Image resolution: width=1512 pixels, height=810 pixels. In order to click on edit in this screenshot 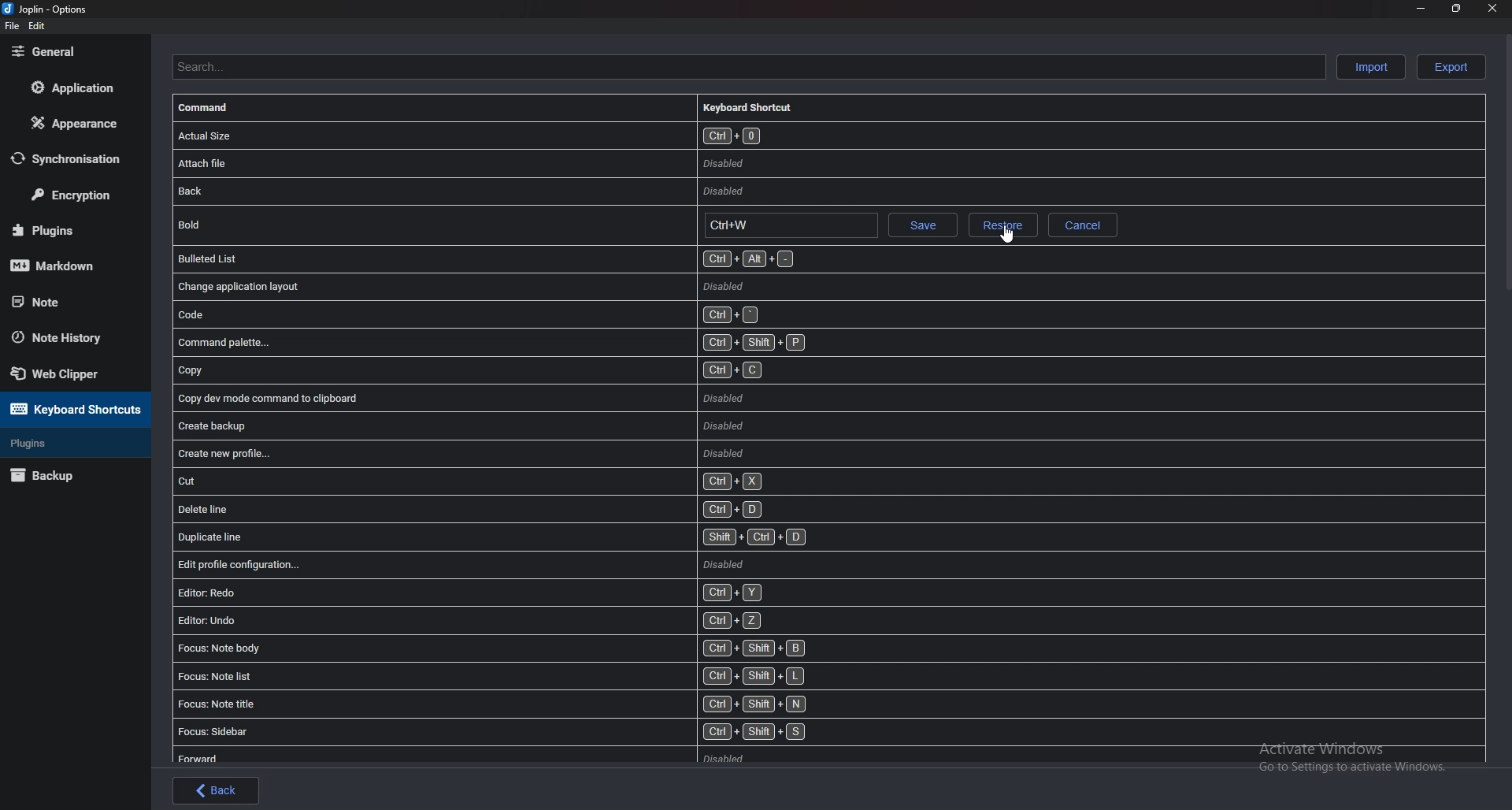, I will do `click(36, 26)`.